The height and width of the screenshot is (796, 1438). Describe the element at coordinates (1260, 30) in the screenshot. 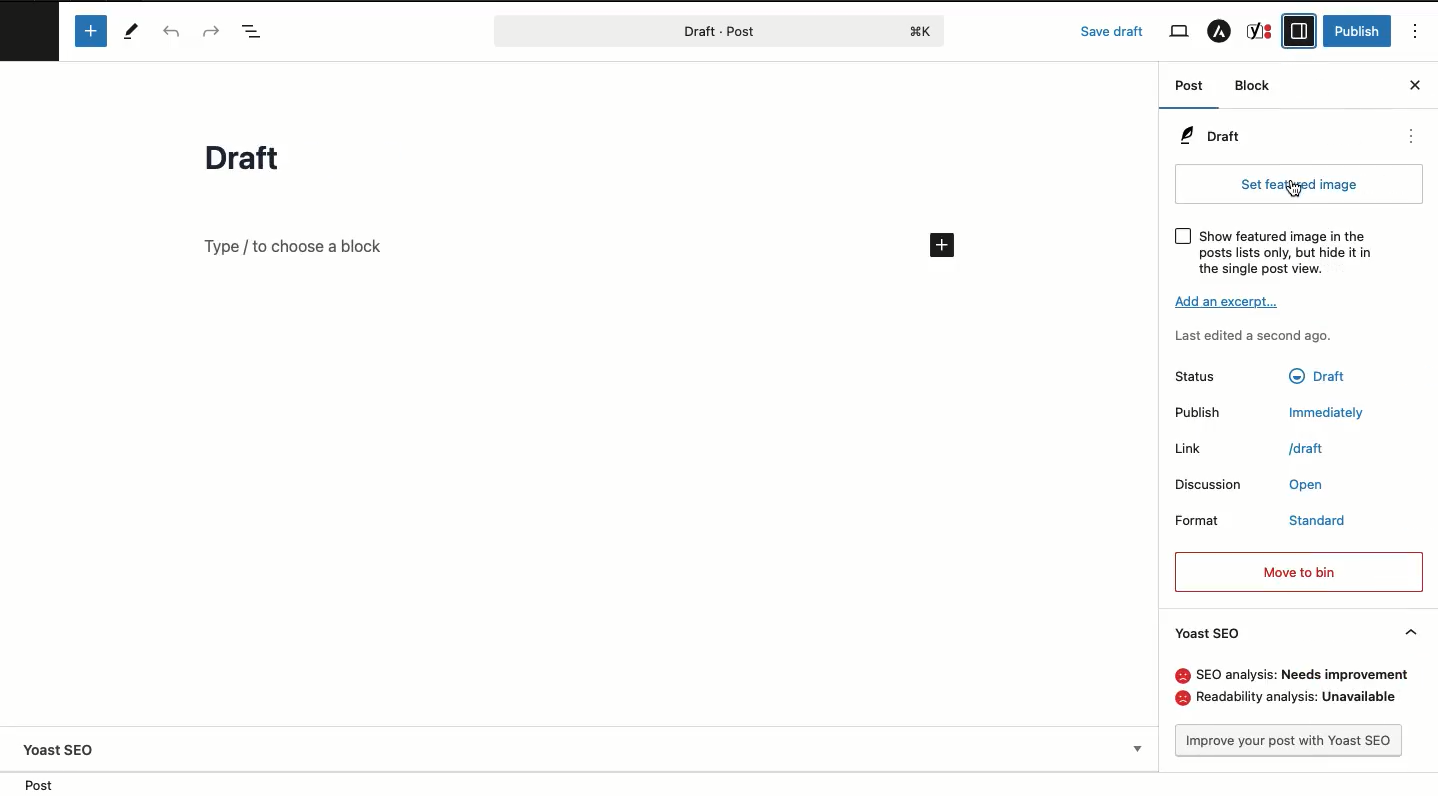

I see `Yoast` at that location.